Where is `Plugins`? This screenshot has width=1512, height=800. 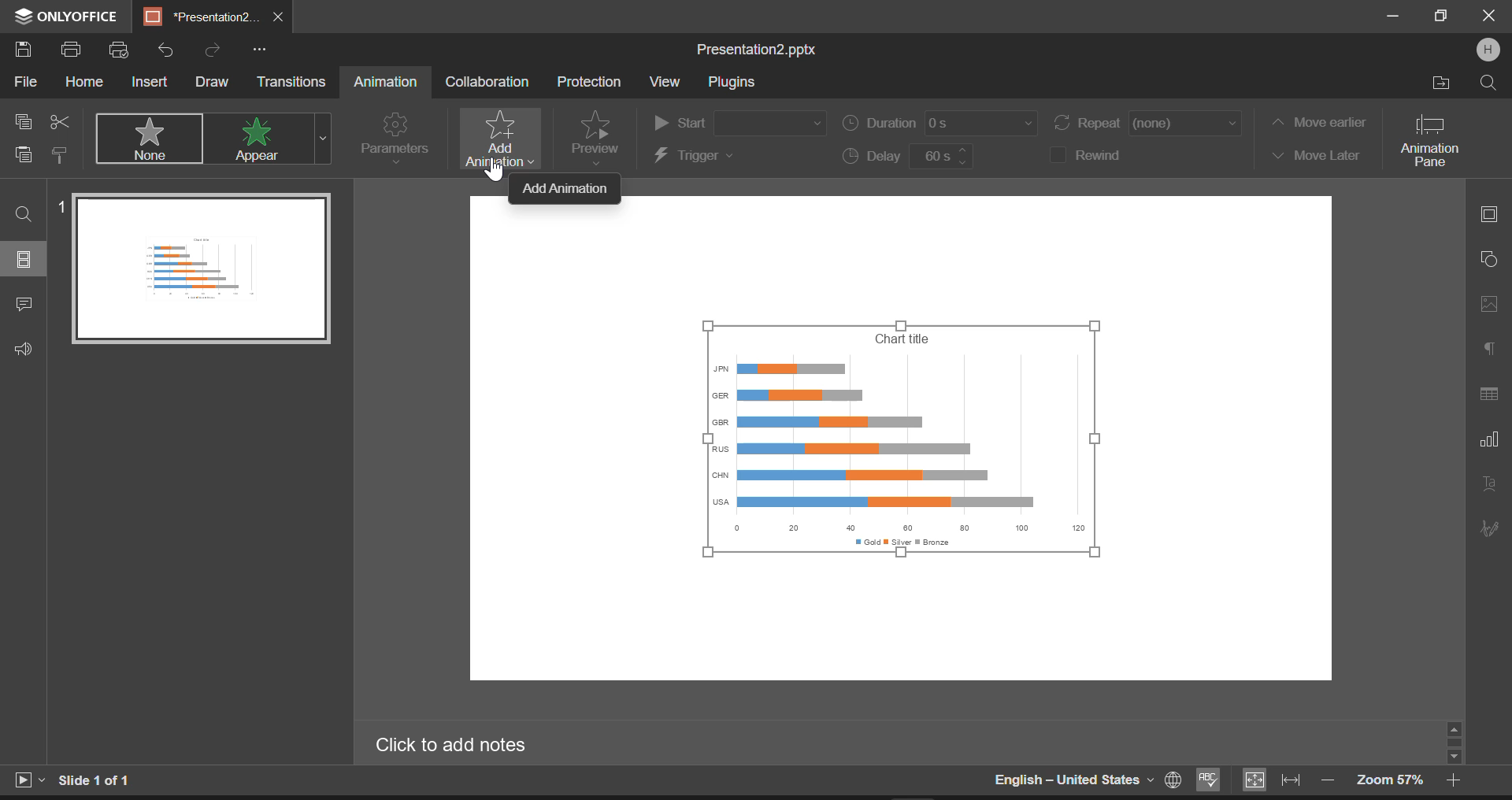 Plugins is located at coordinates (731, 83).